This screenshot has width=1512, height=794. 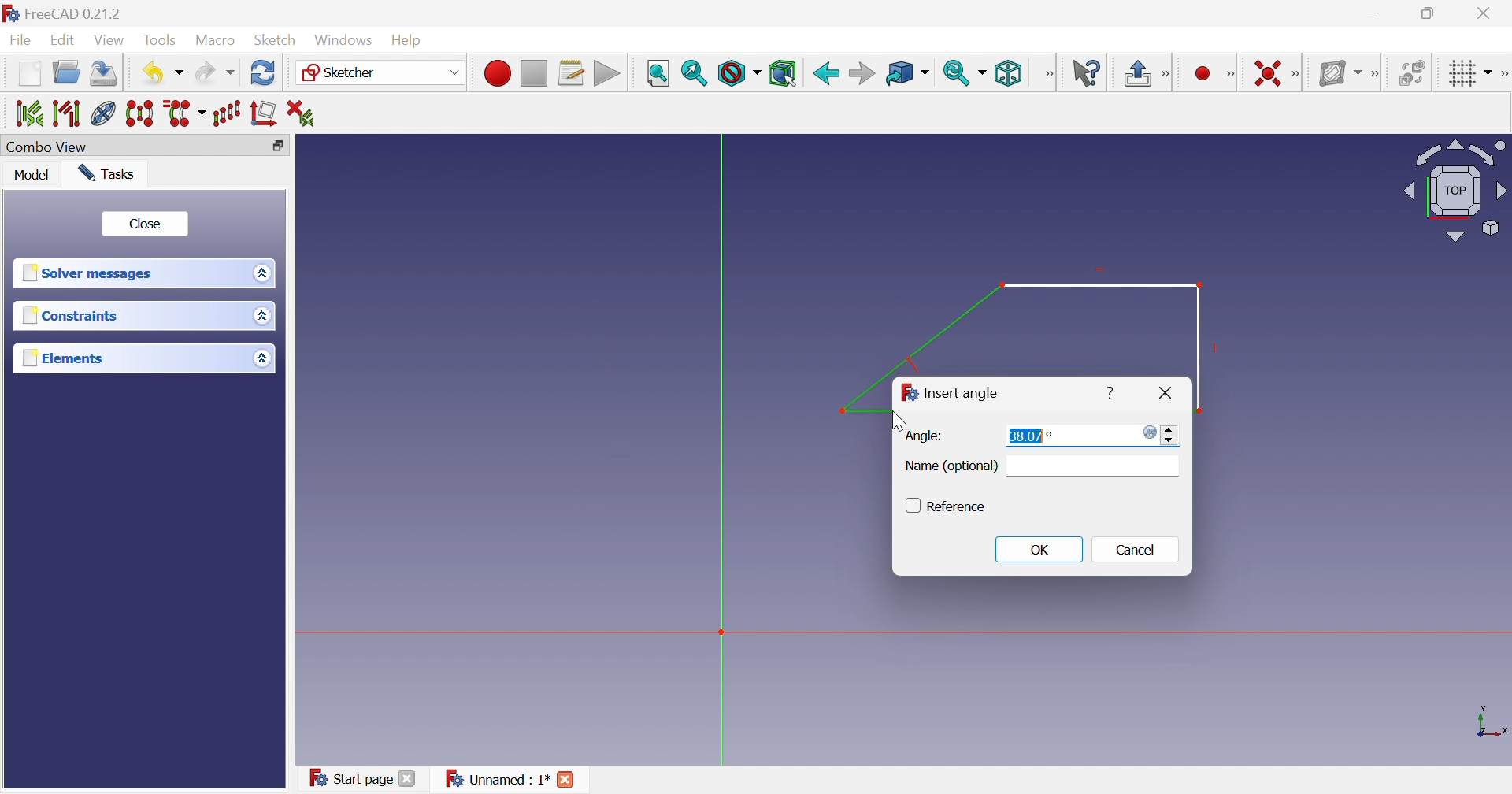 What do you see at coordinates (1086, 72) in the screenshot?
I see `What's this?` at bounding box center [1086, 72].